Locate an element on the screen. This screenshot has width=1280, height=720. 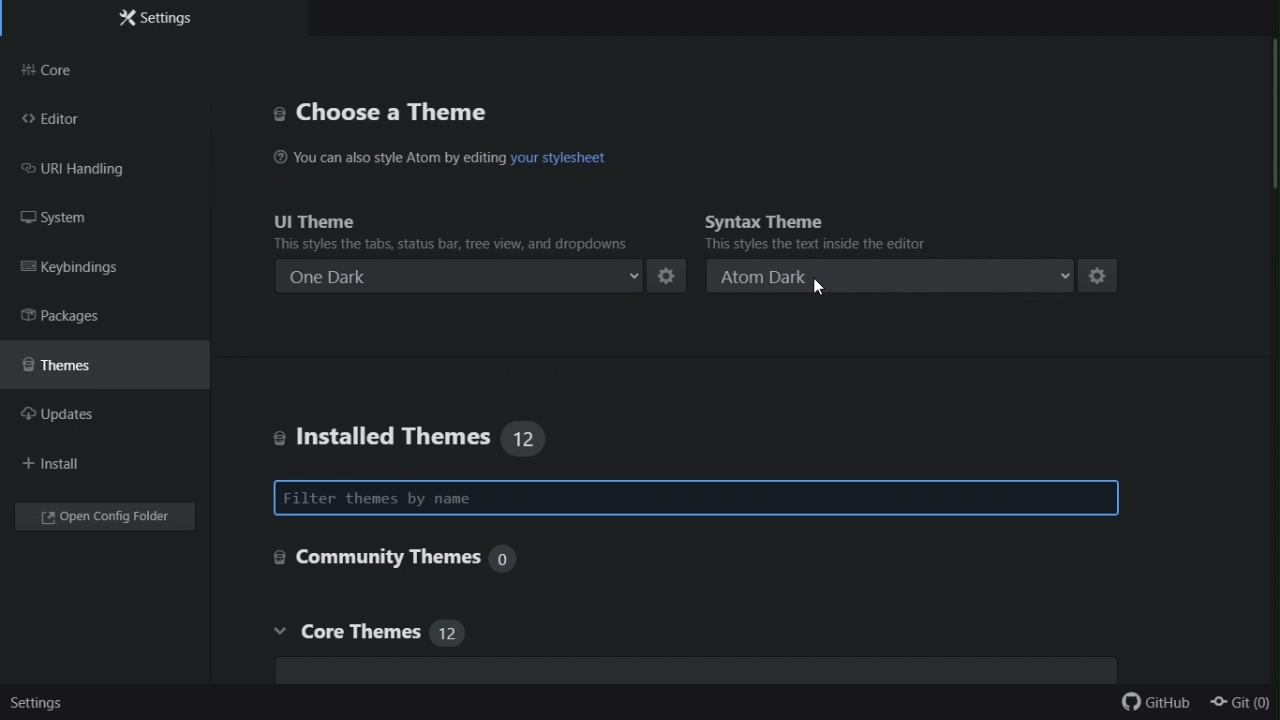
Core is located at coordinates (74, 71).